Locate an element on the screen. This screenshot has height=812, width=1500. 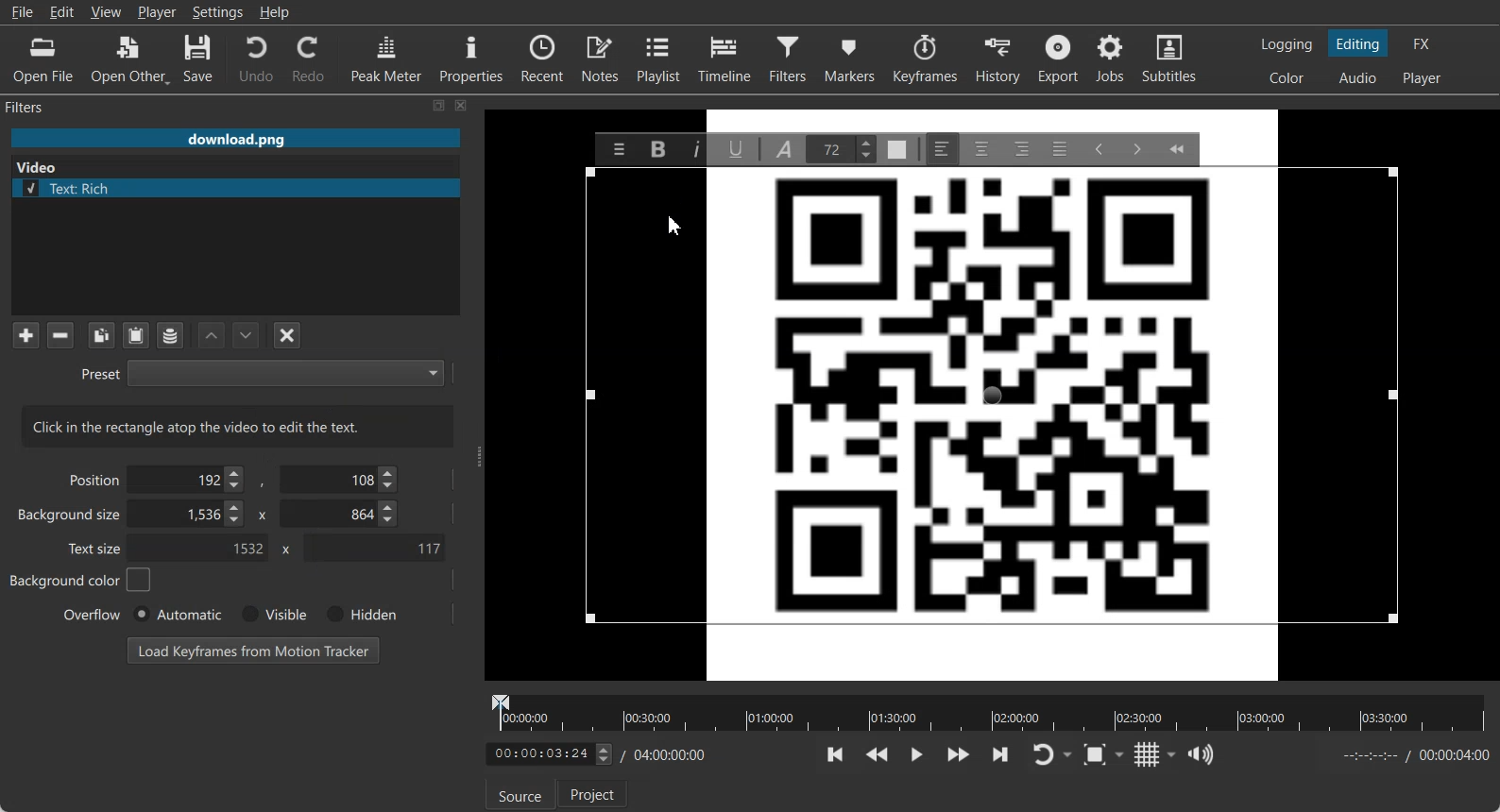
Play Quickly backward is located at coordinates (878, 754).